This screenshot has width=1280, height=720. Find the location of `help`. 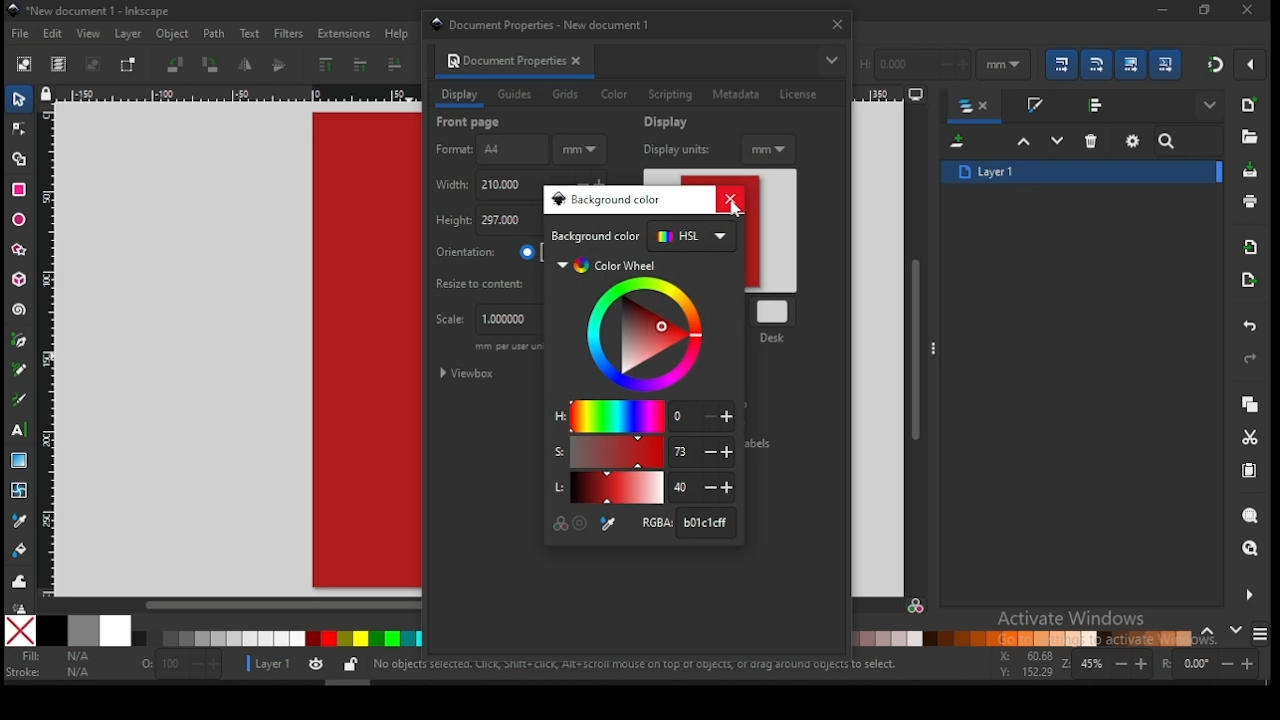

help is located at coordinates (400, 33).